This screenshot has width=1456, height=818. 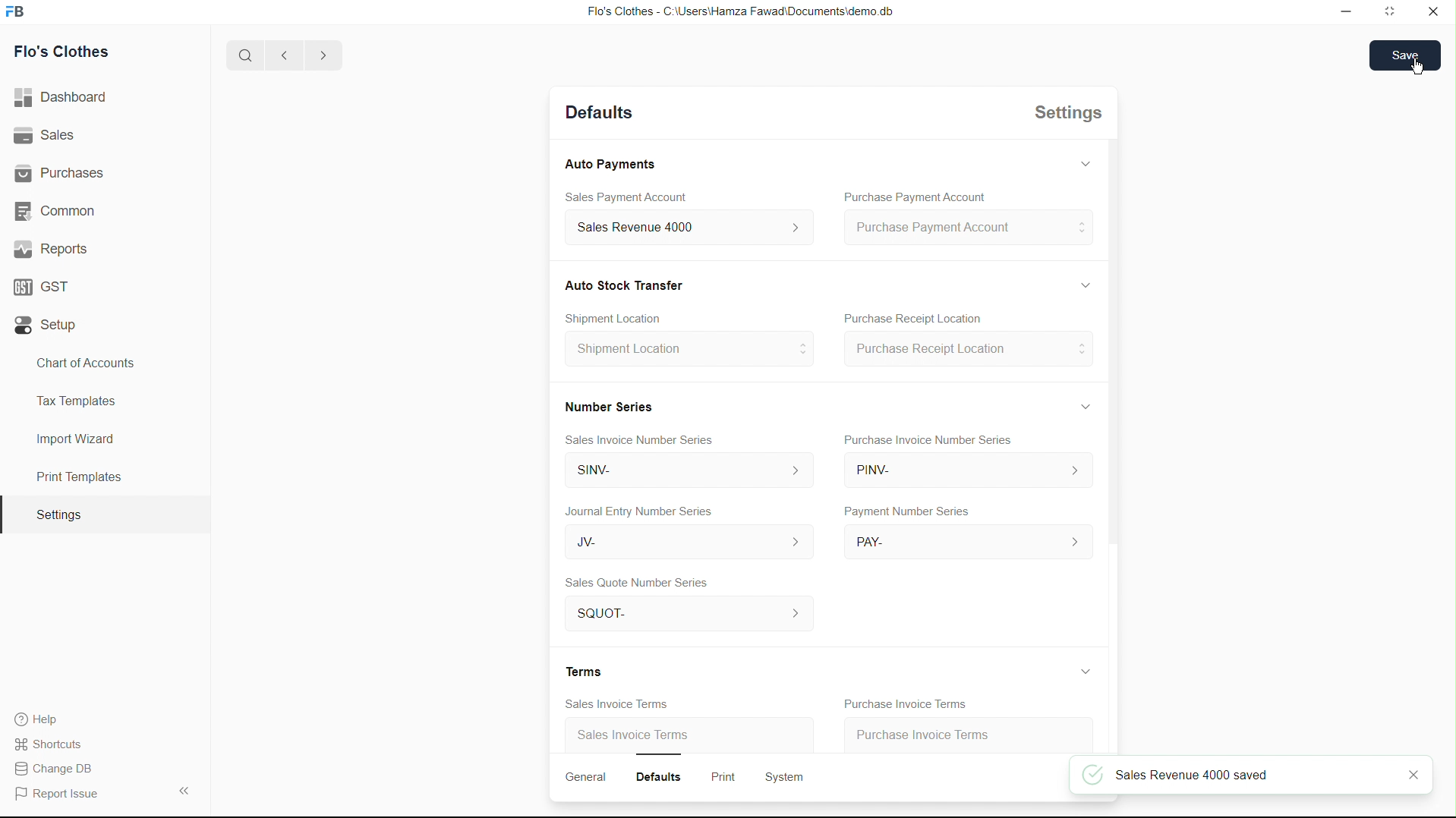 I want to click on General, so click(x=583, y=777).